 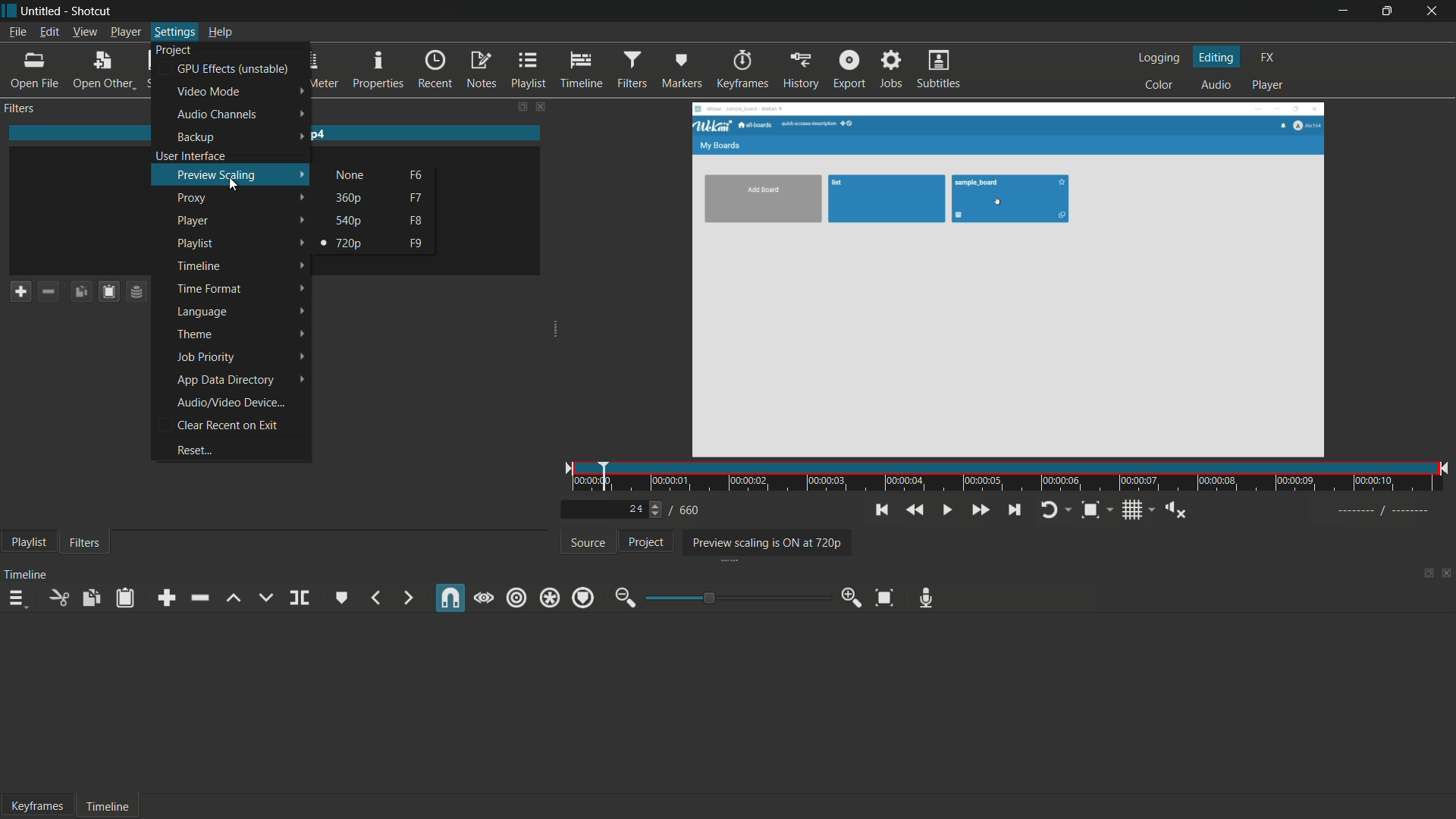 What do you see at coordinates (9, 10) in the screenshot?
I see `app icon` at bounding box center [9, 10].